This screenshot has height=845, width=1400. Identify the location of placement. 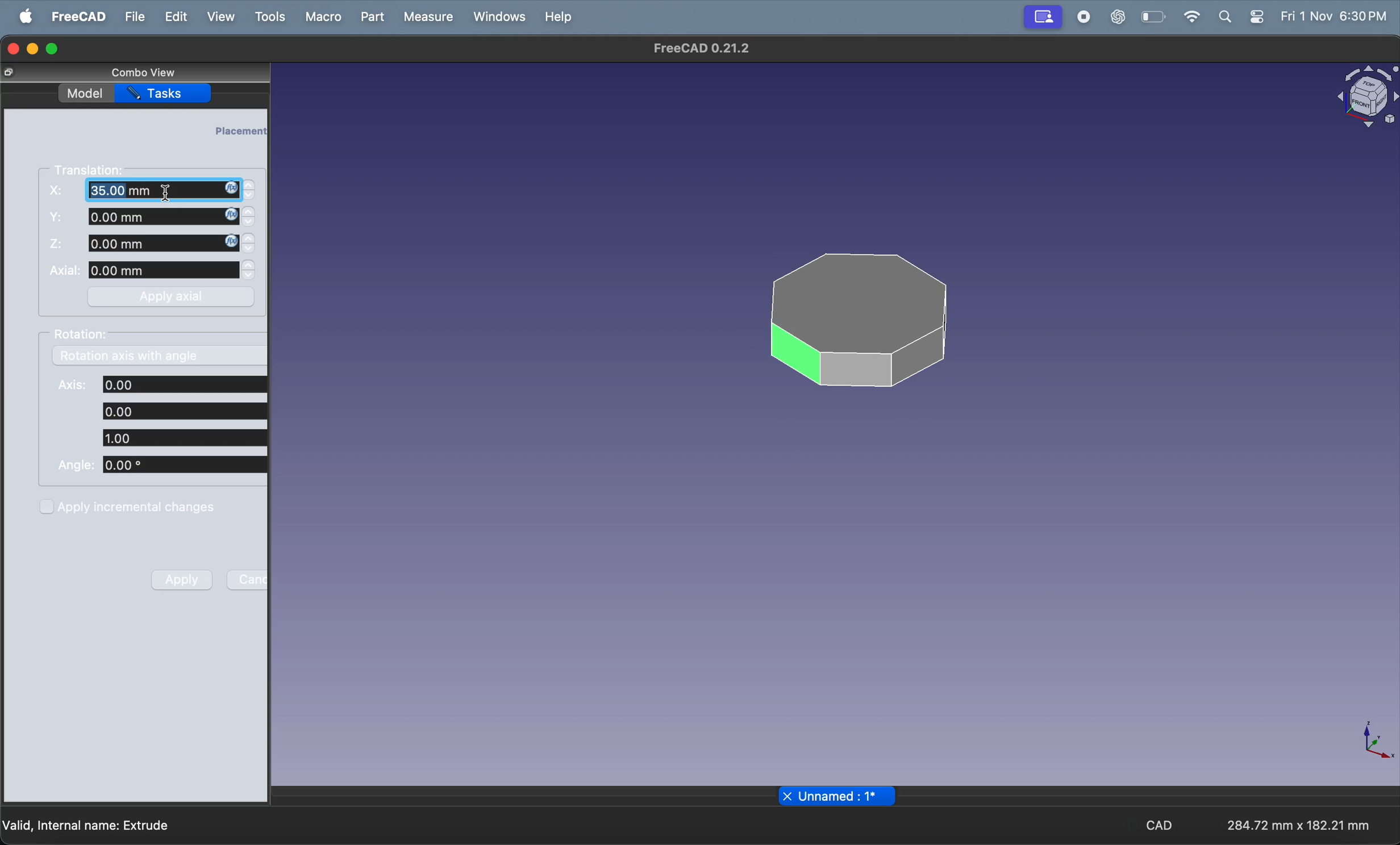
(240, 130).